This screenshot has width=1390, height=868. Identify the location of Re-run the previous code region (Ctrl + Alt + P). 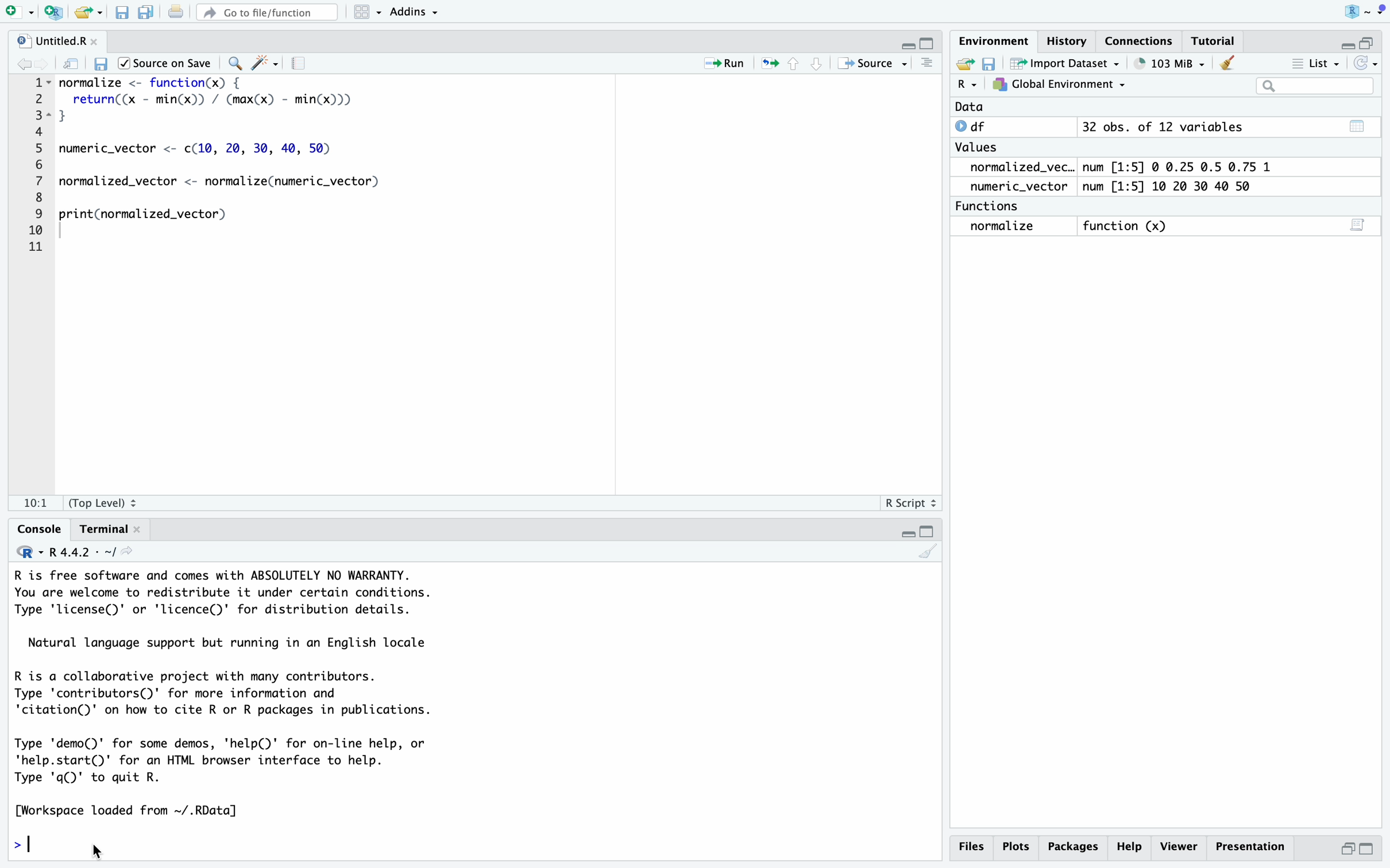
(770, 64).